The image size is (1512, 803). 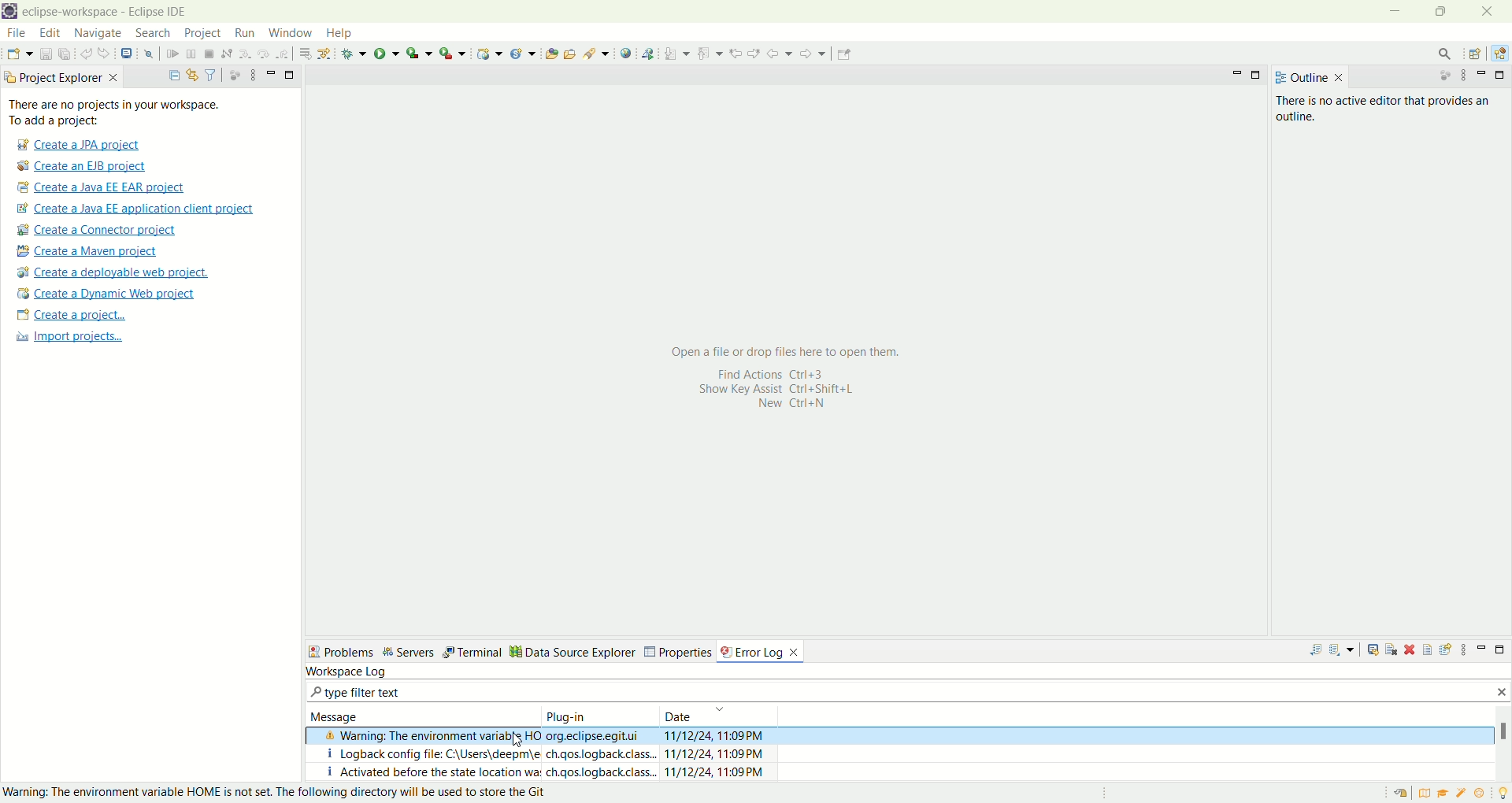 What do you see at coordinates (1442, 796) in the screenshot?
I see `tutorial` at bounding box center [1442, 796].